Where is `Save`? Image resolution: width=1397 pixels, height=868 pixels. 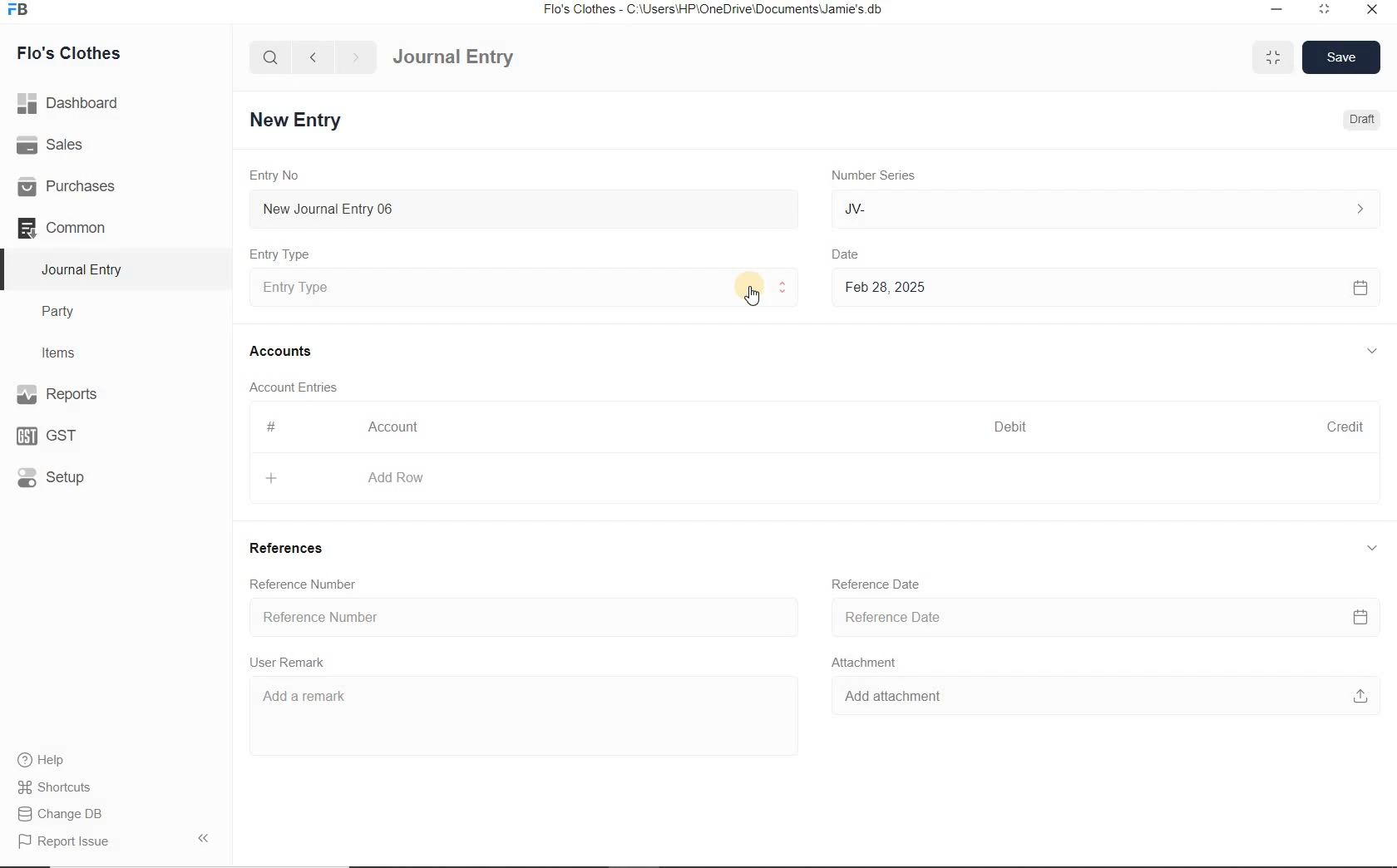 Save is located at coordinates (1342, 56).